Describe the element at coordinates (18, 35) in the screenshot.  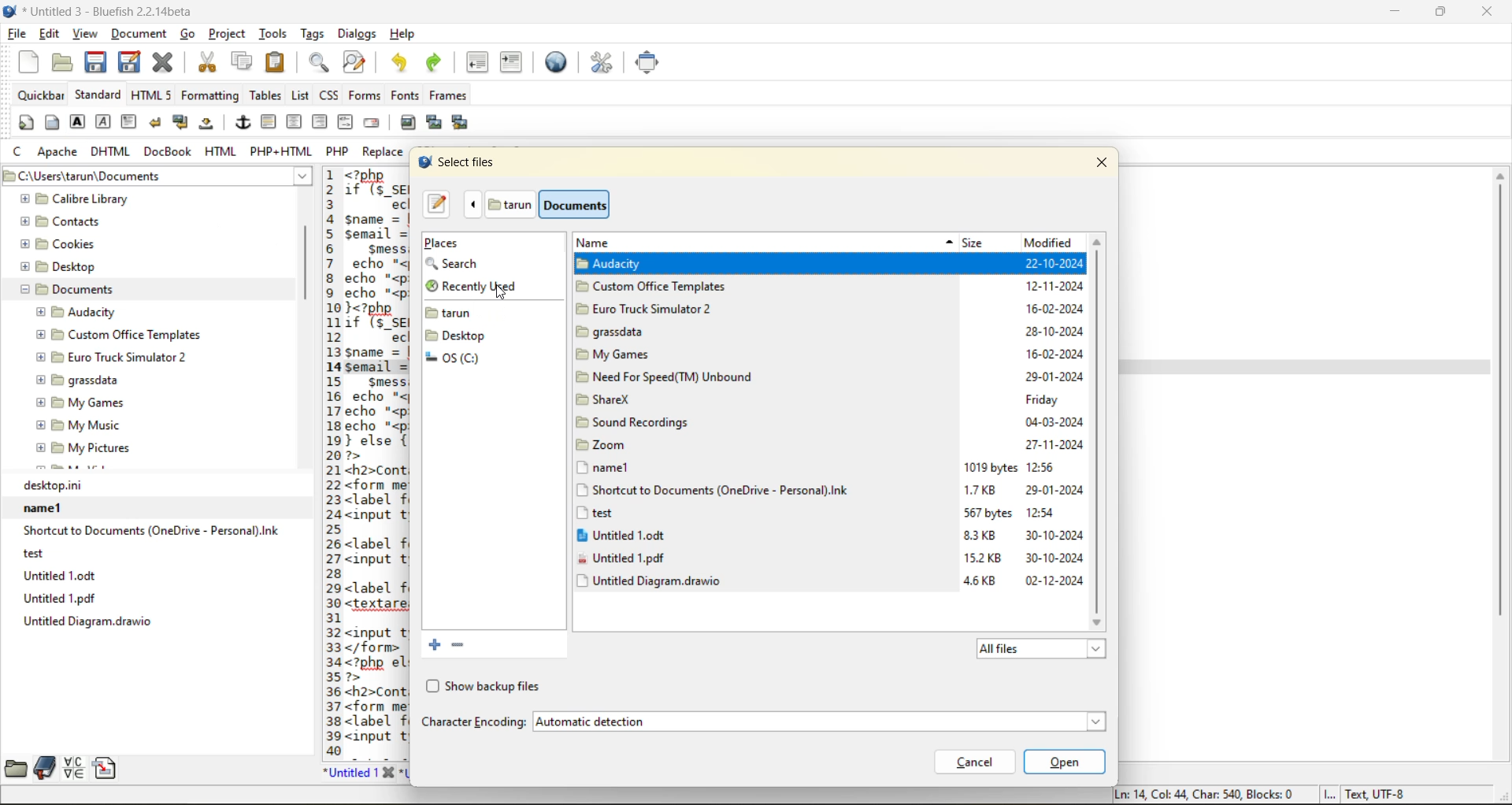
I see `file` at that location.